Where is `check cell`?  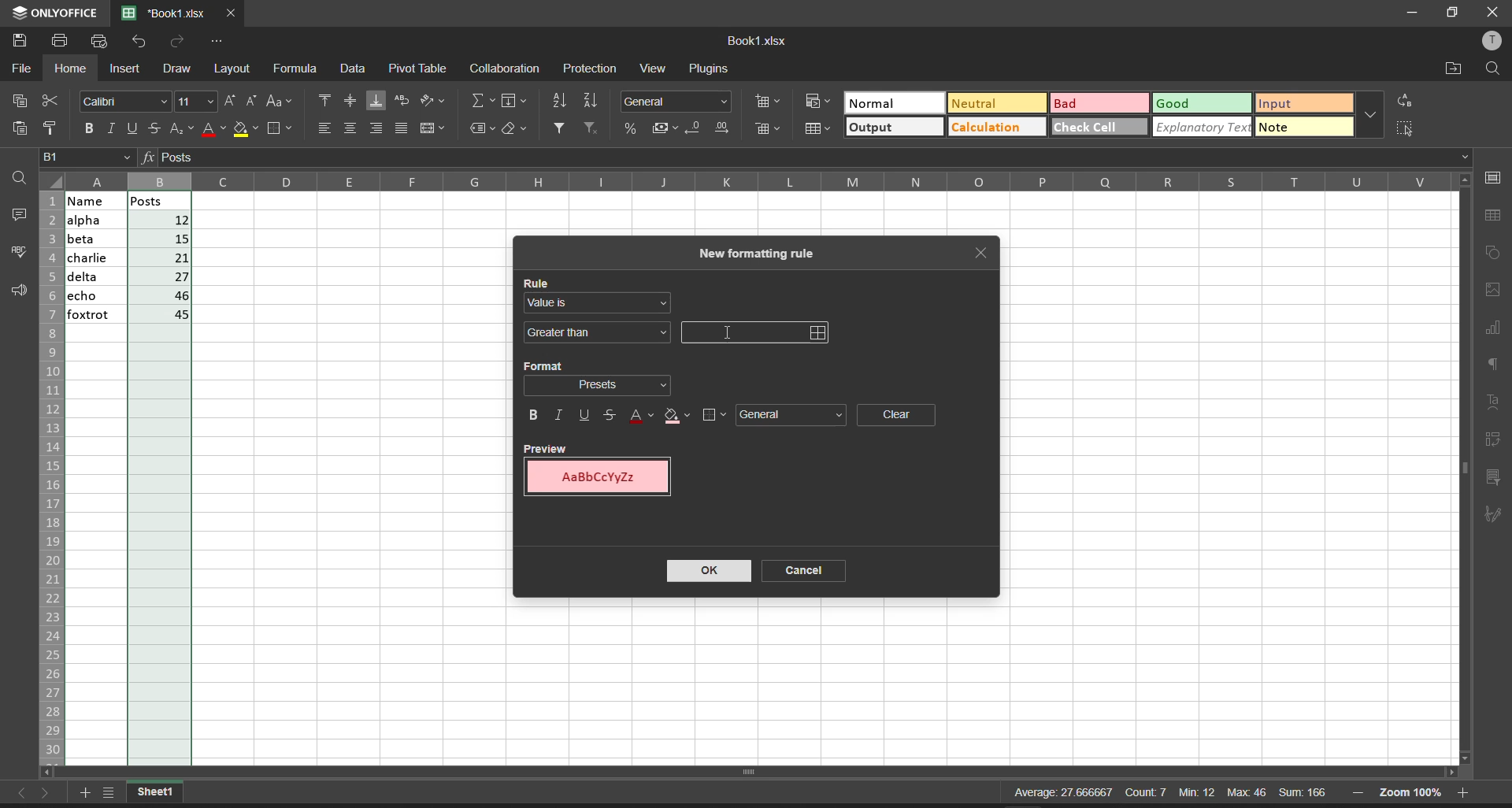 check cell is located at coordinates (1091, 129).